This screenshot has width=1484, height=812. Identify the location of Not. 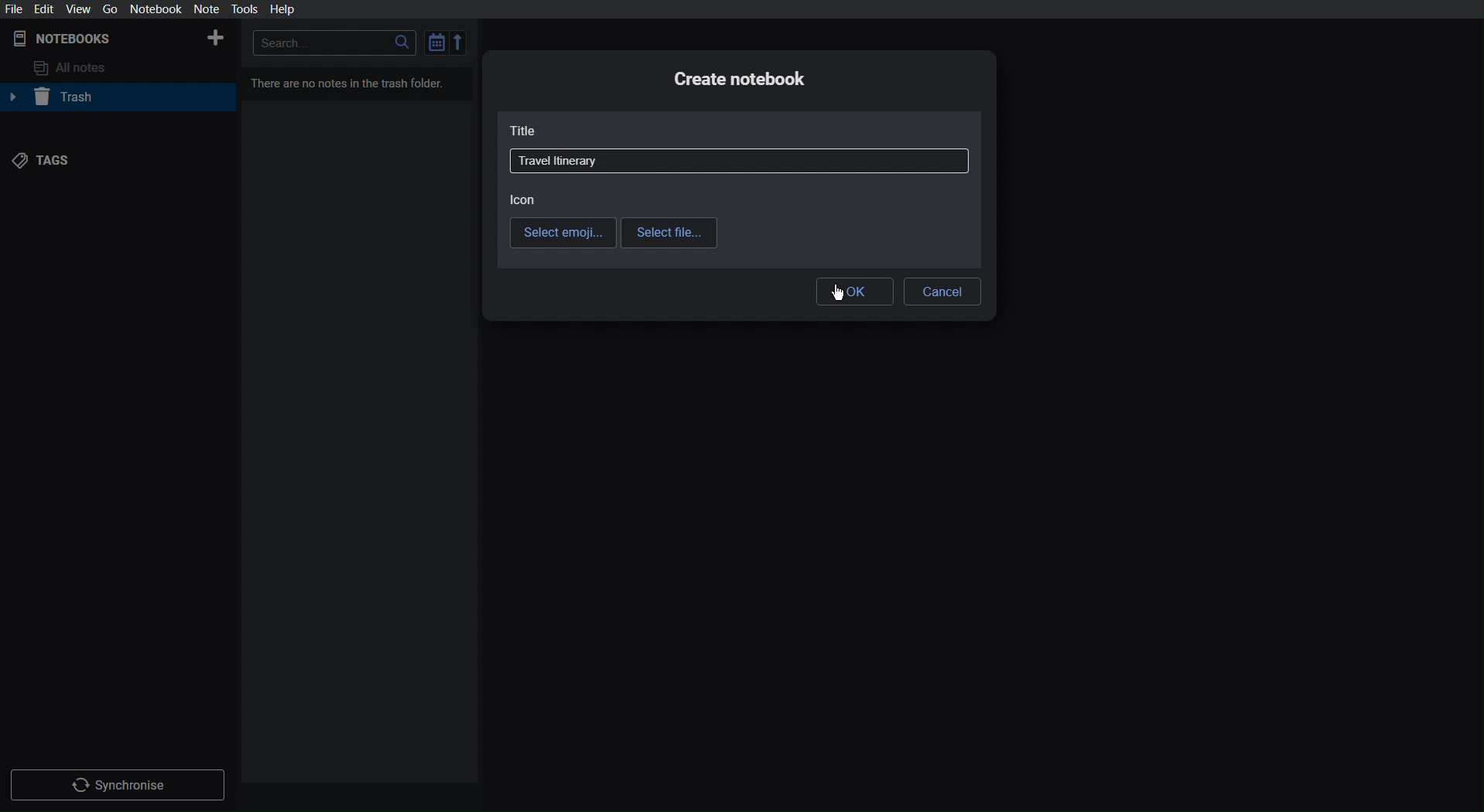
(207, 9).